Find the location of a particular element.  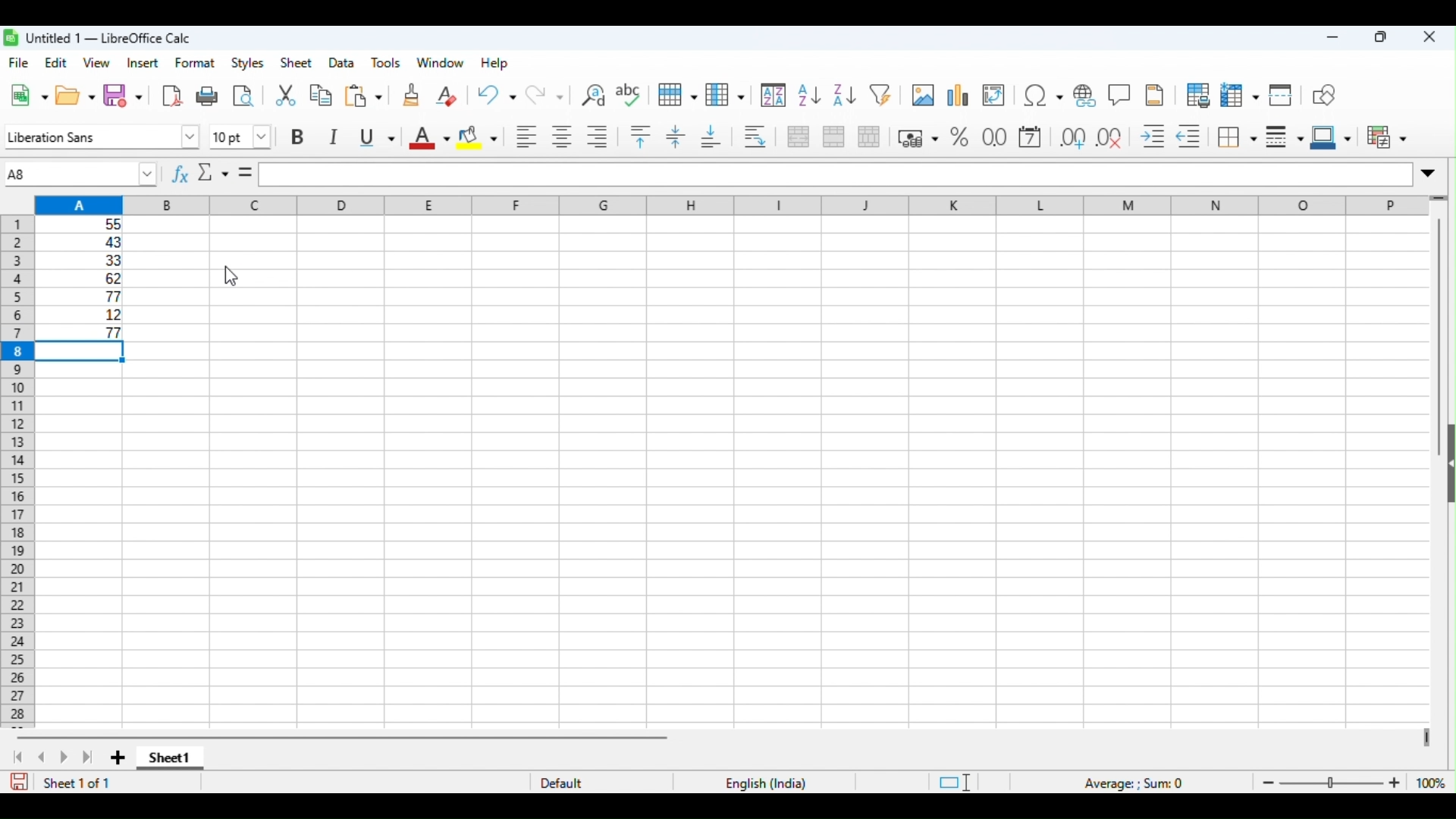

format as date is located at coordinates (1032, 137).